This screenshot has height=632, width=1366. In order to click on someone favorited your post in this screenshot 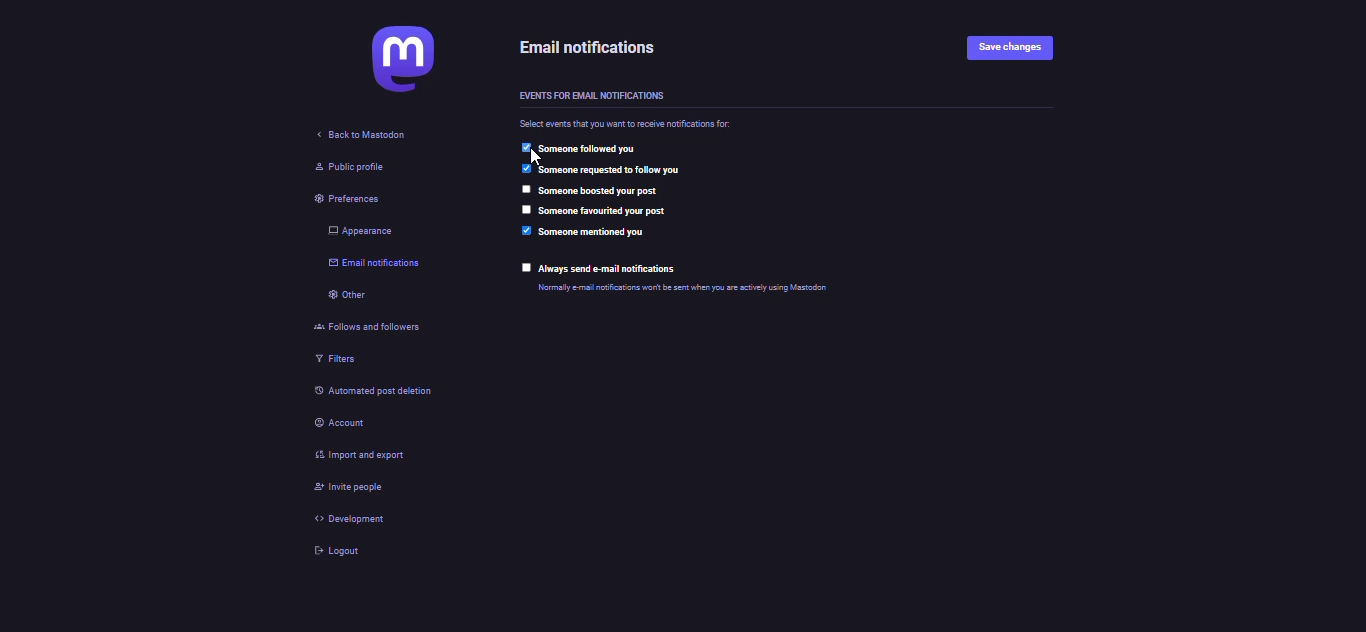, I will do `click(601, 210)`.